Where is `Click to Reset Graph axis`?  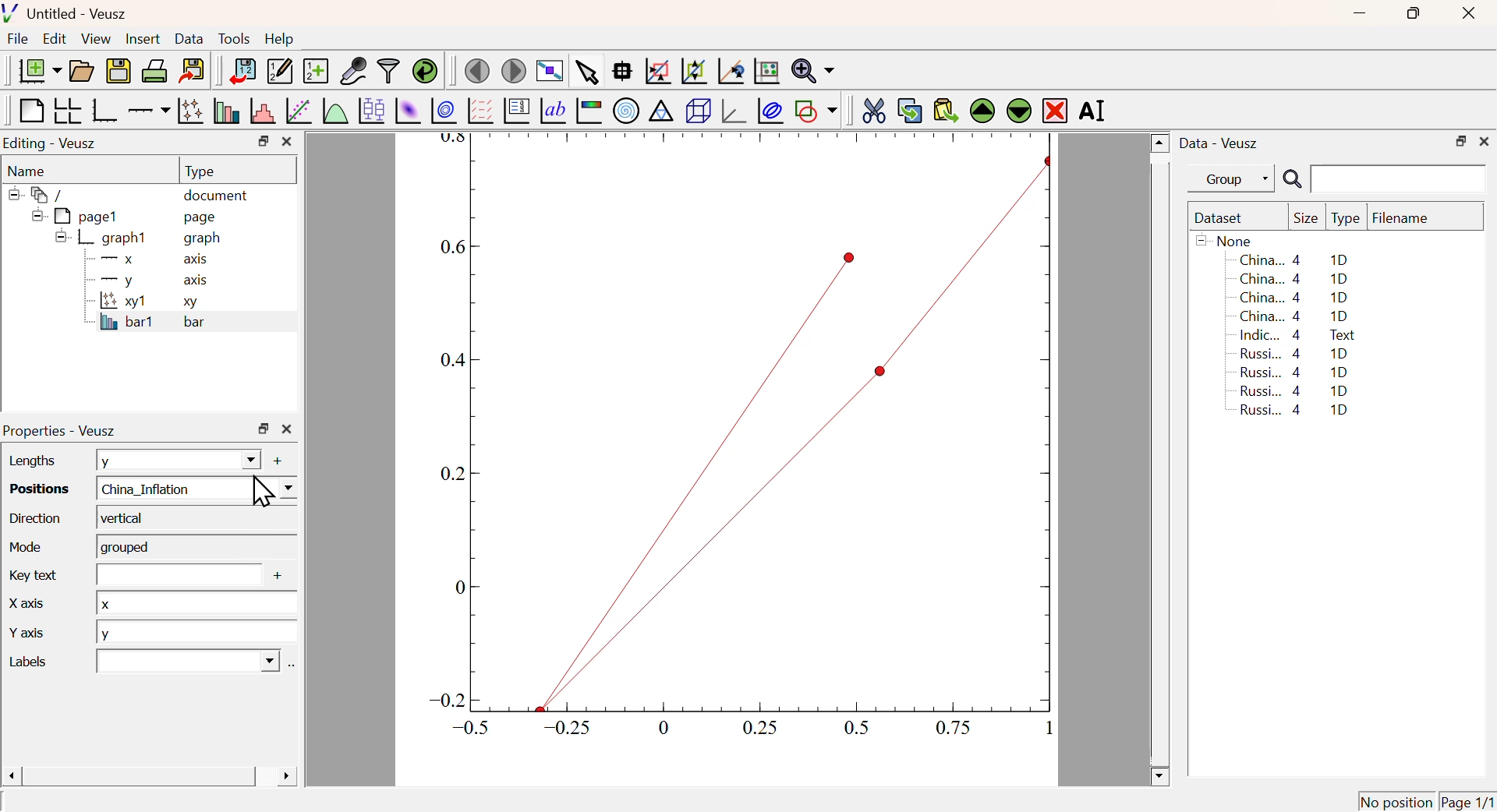 Click to Reset Graph axis is located at coordinates (766, 69).